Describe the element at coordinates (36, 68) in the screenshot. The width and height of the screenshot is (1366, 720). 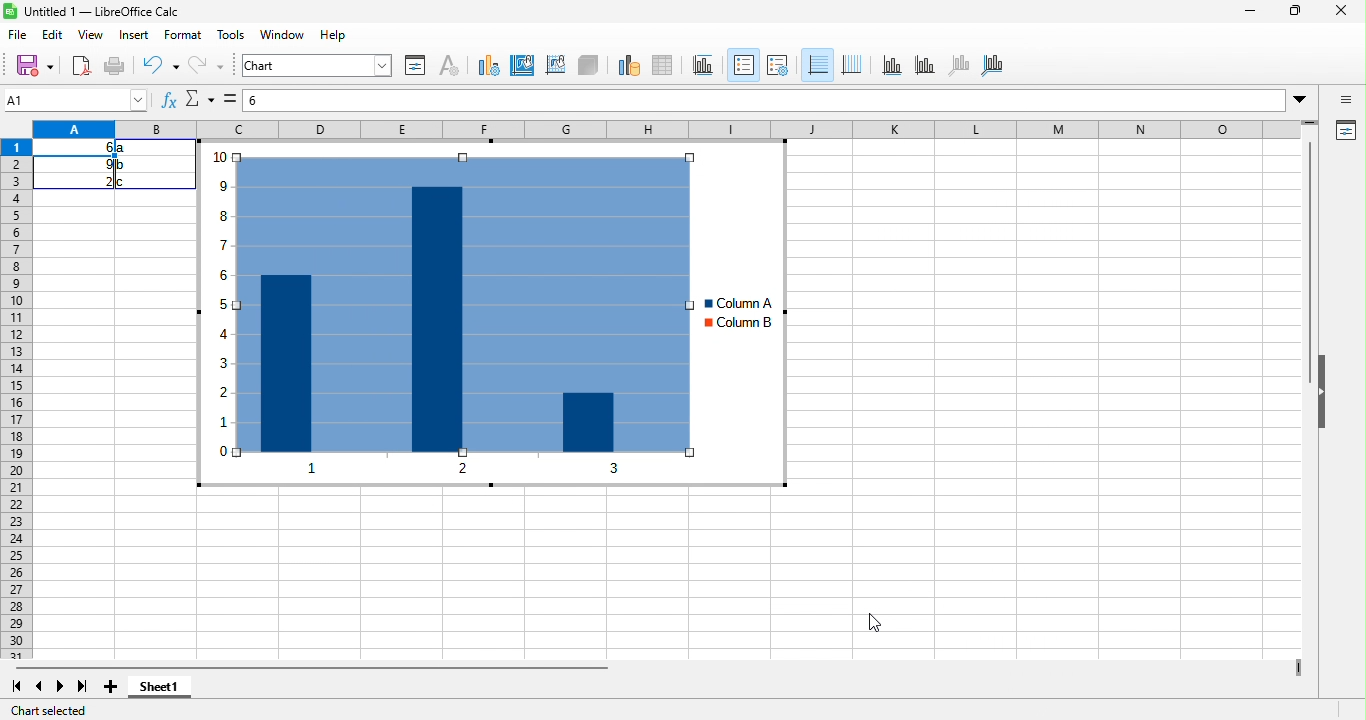
I see `save` at that location.